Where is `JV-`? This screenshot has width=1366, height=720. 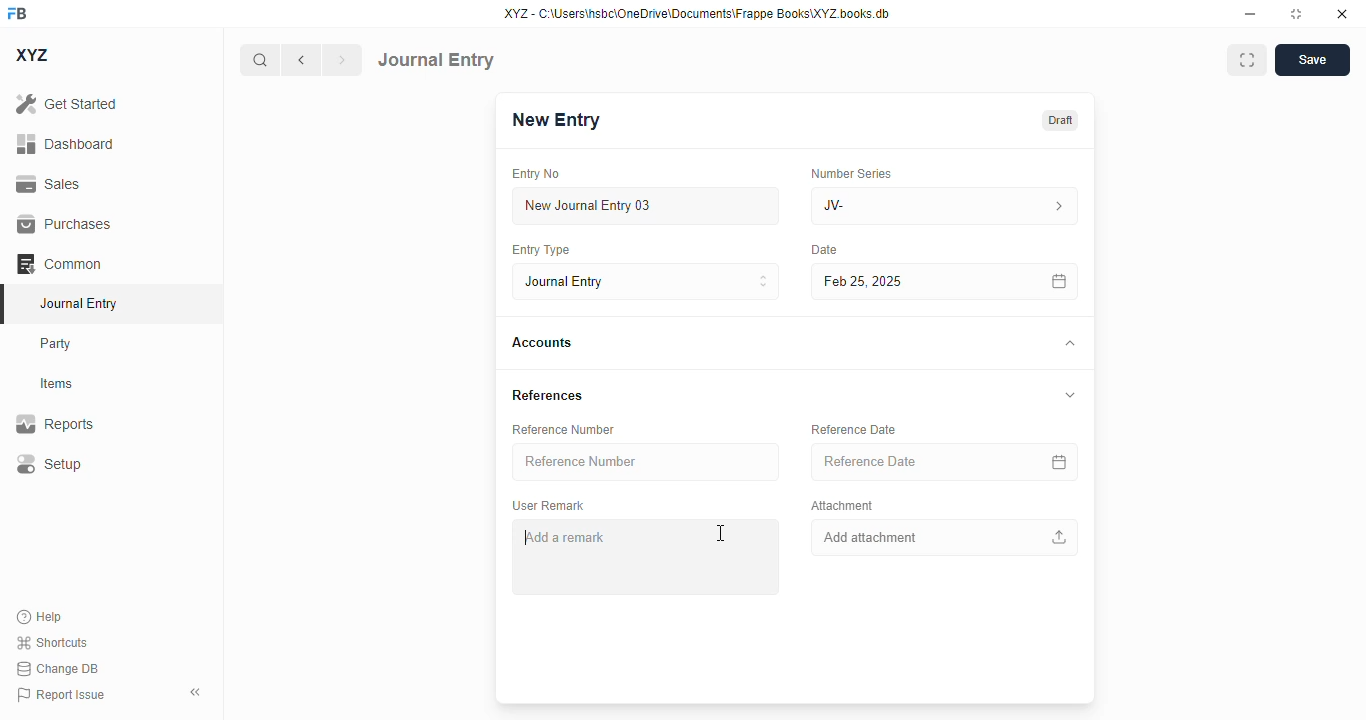 JV- is located at coordinates (898, 206).